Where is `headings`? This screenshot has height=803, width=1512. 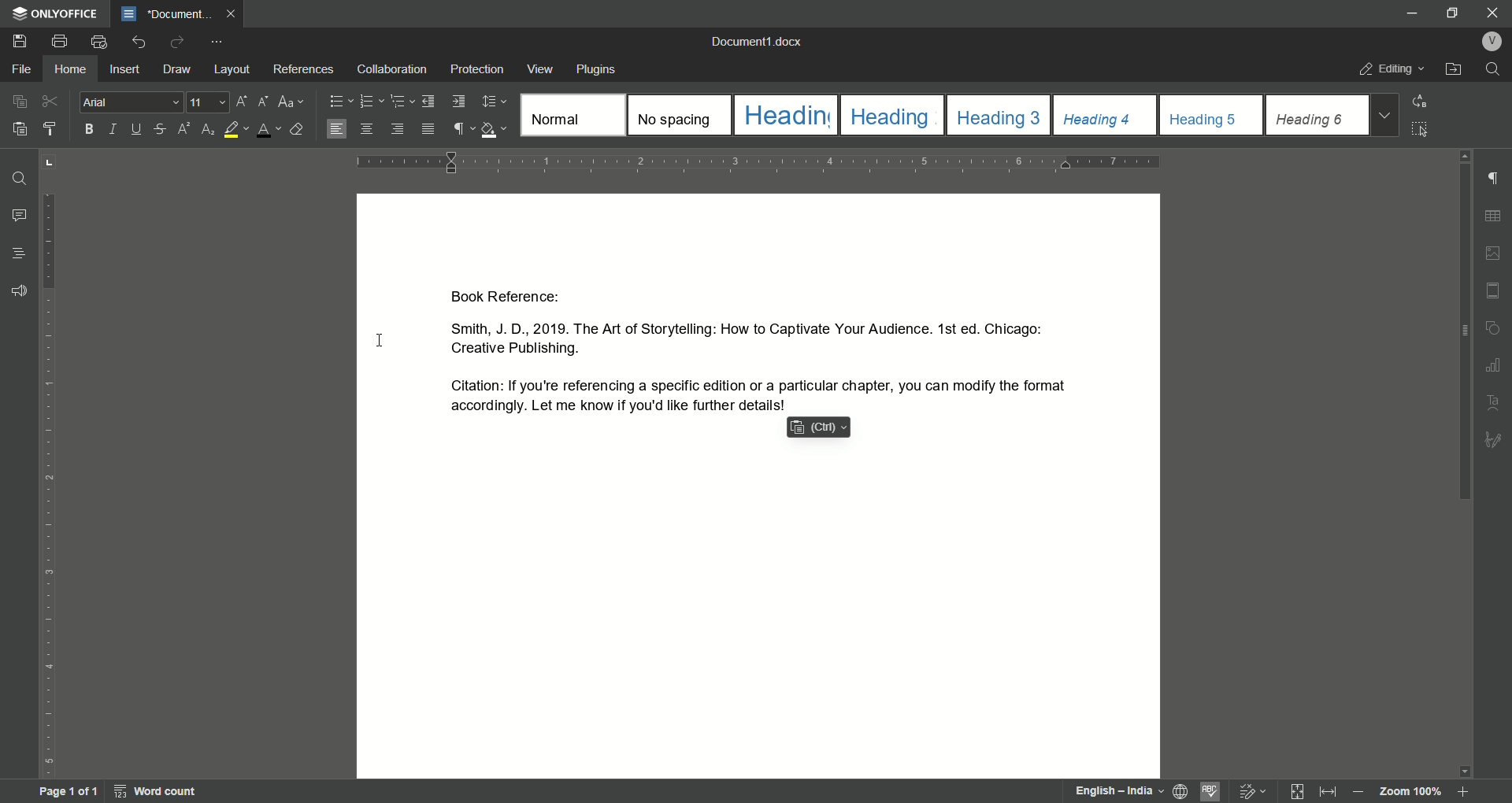
headings is located at coordinates (679, 115).